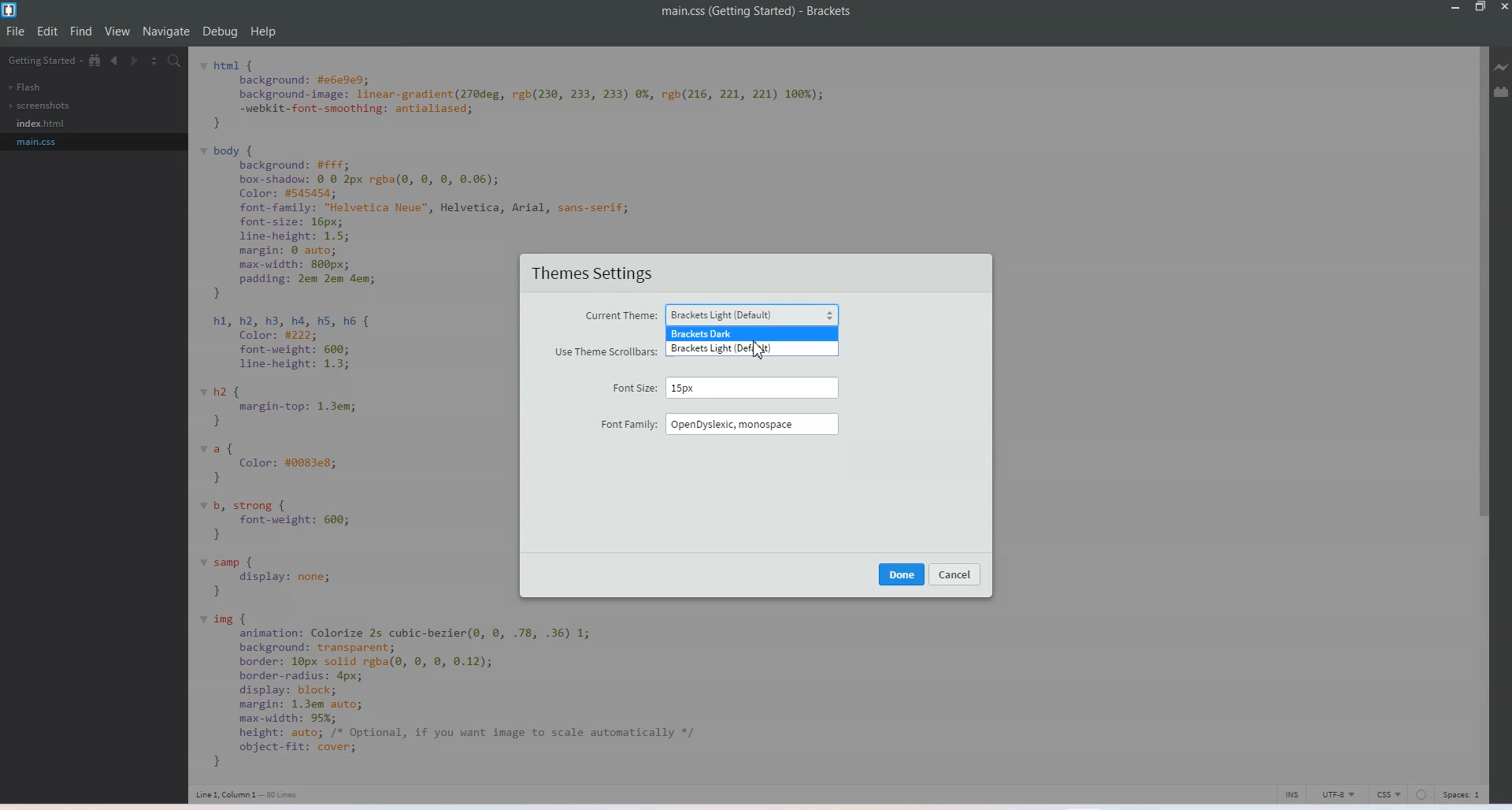 Image resolution: width=1512 pixels, height=810 pixels. Describe the element at coordinates (253, 794) in the screenshot. I see `Text 3 ` at that location.